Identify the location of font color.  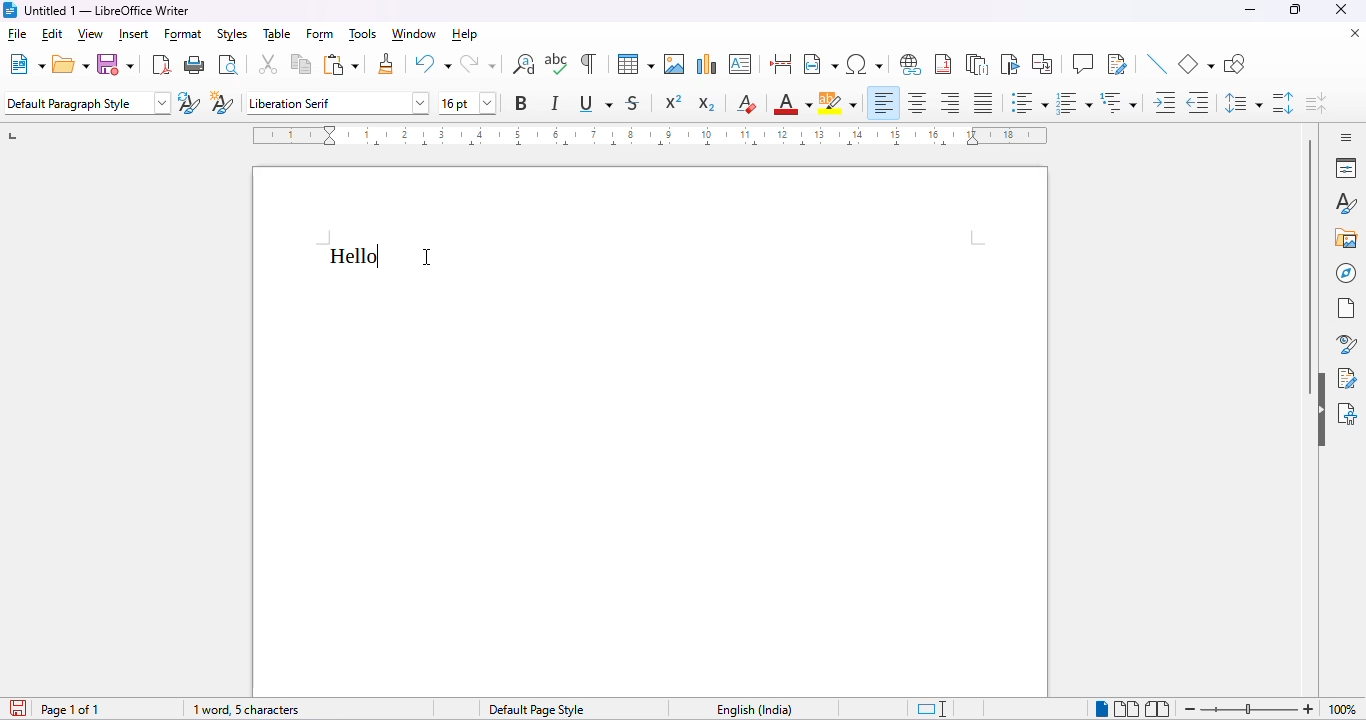
(792, 103).